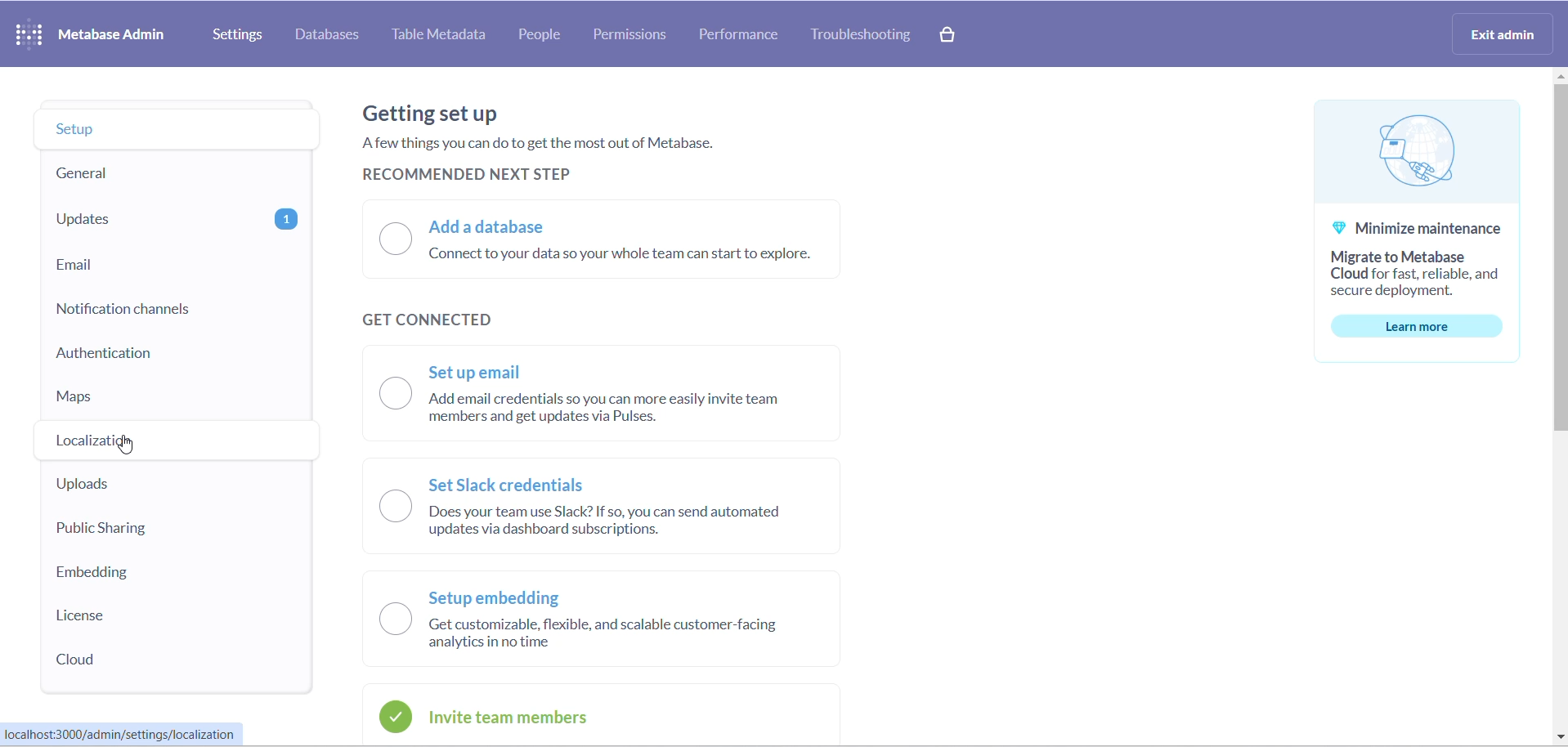 This screenshot has height=747, width=1568. Describe the element at coordinates (329, 35) in the screenshot. I see `DATABSES` at that location.